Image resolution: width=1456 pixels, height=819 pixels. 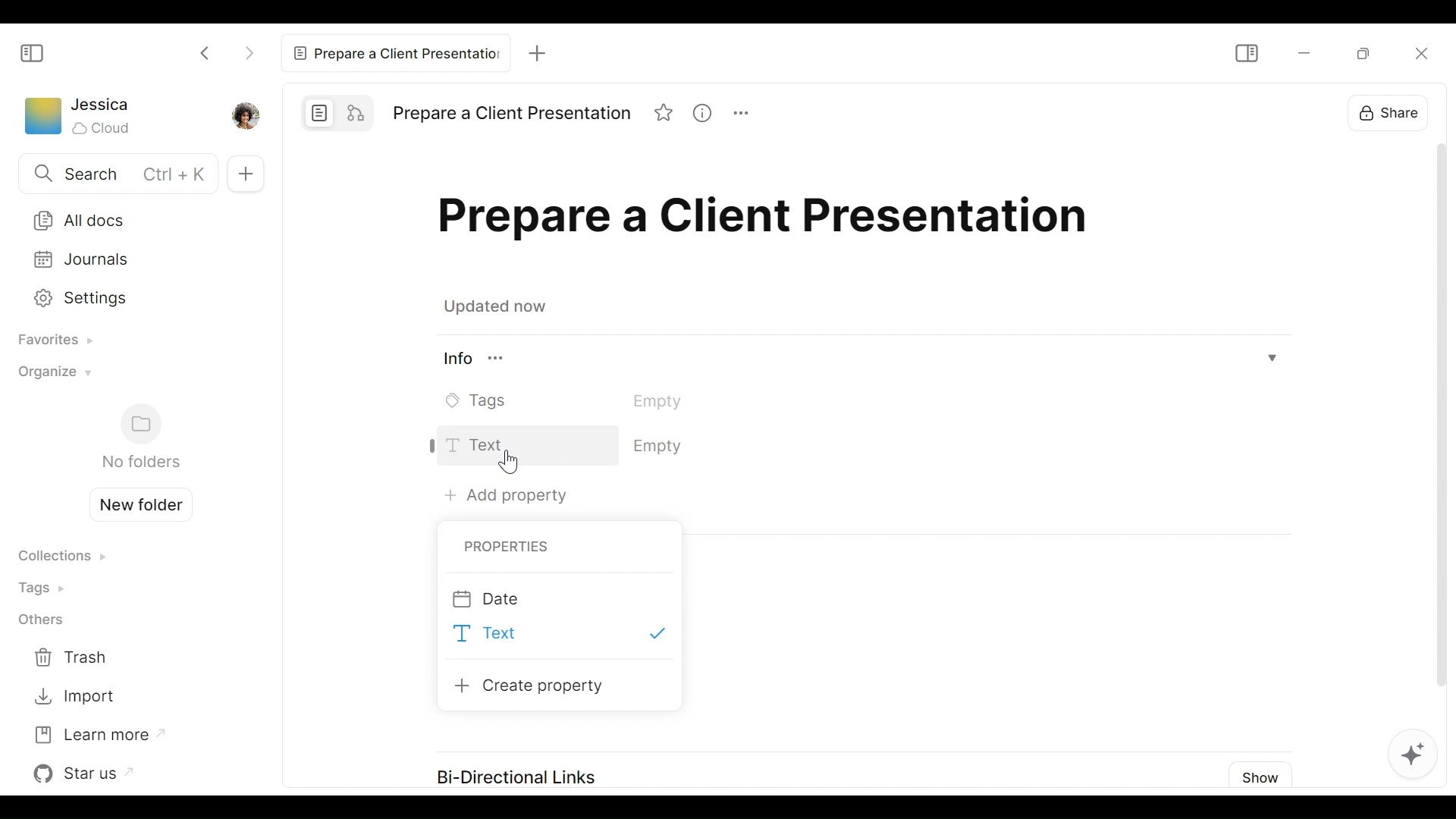 I want to click on Properties, so click(x=509, y=547).